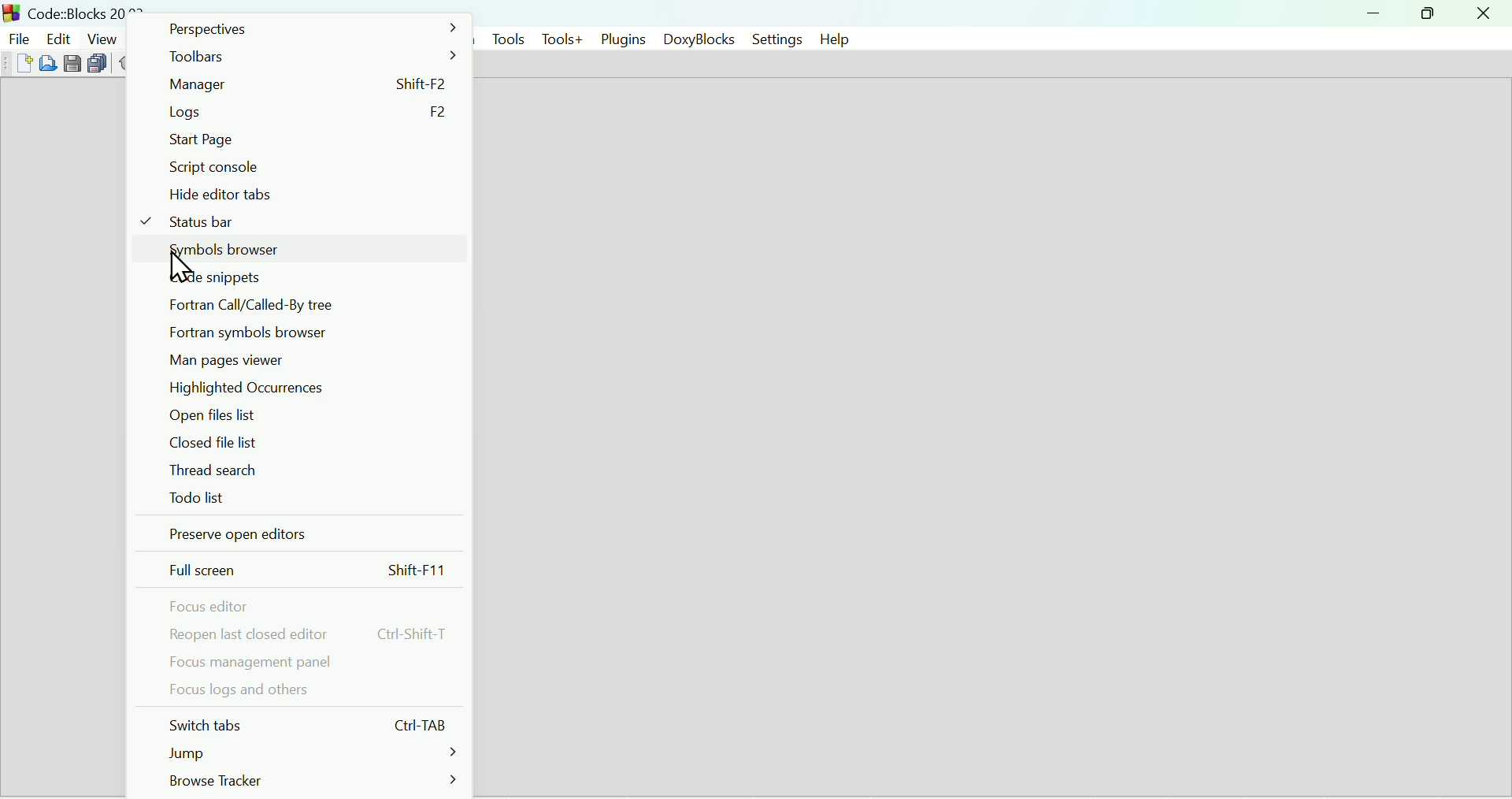 Image resolution: width=1512 pixels, height=799 pixels. Describe the element at coordinates (505, 38) in the screenshot. I see `Tools` at that location.